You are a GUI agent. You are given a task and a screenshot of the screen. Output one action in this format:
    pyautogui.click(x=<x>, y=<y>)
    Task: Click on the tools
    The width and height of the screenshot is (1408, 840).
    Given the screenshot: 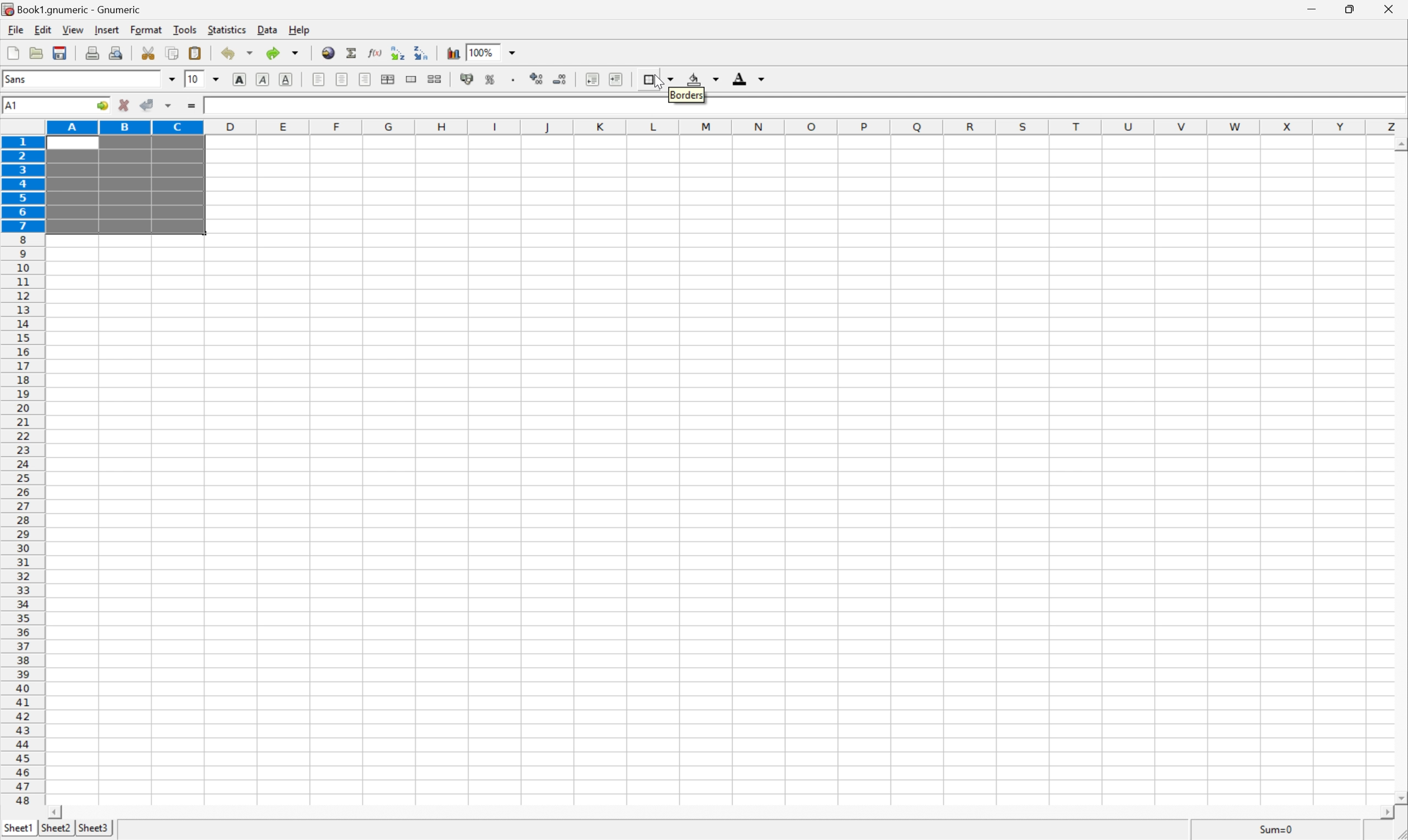 What is the action you would take?
    pyautogui.click(x=184, y=31)
    